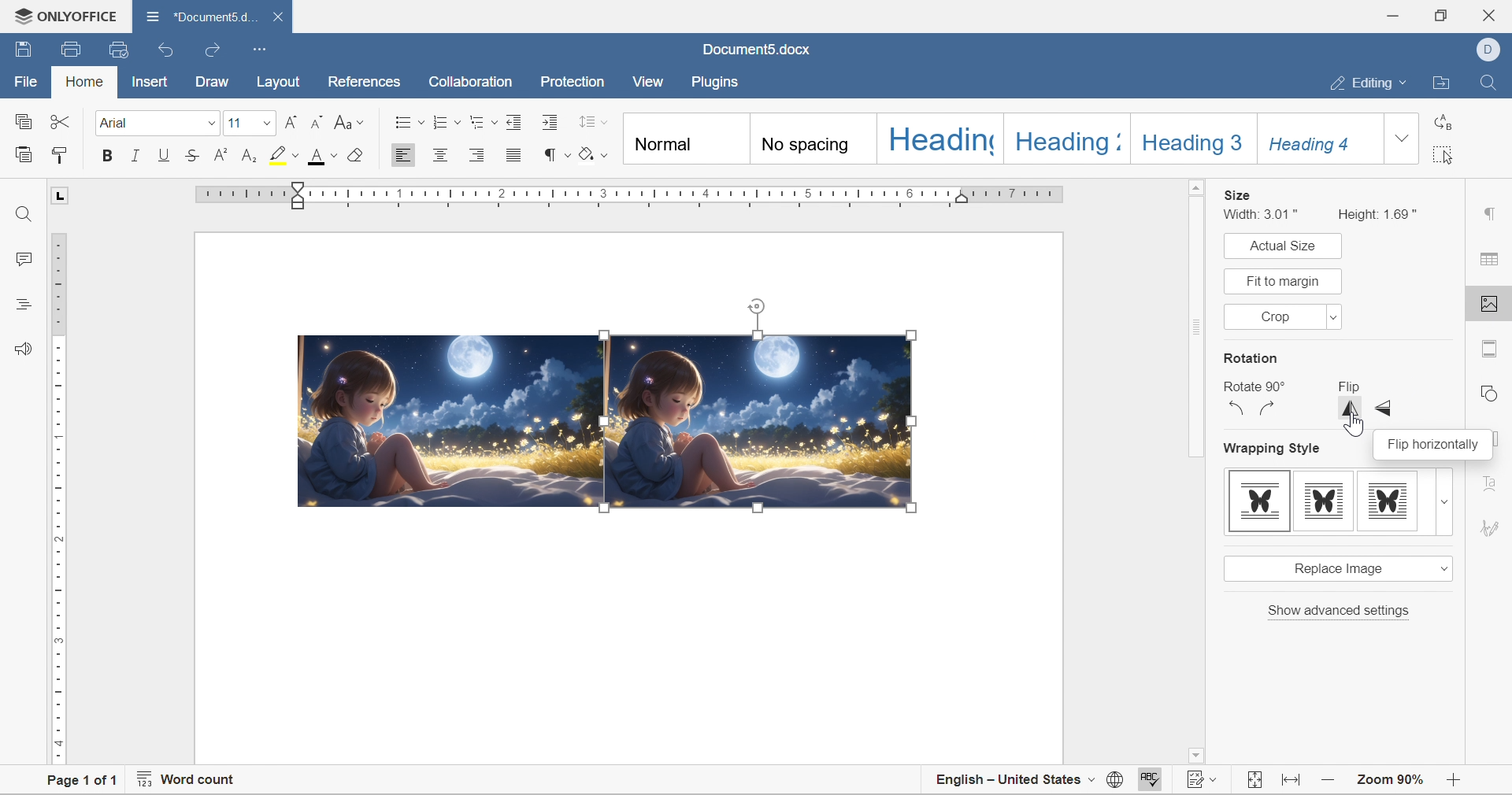 The width and height of the screenshot is (1512, 795). I want to click on decrease indent, so click(516, 121).